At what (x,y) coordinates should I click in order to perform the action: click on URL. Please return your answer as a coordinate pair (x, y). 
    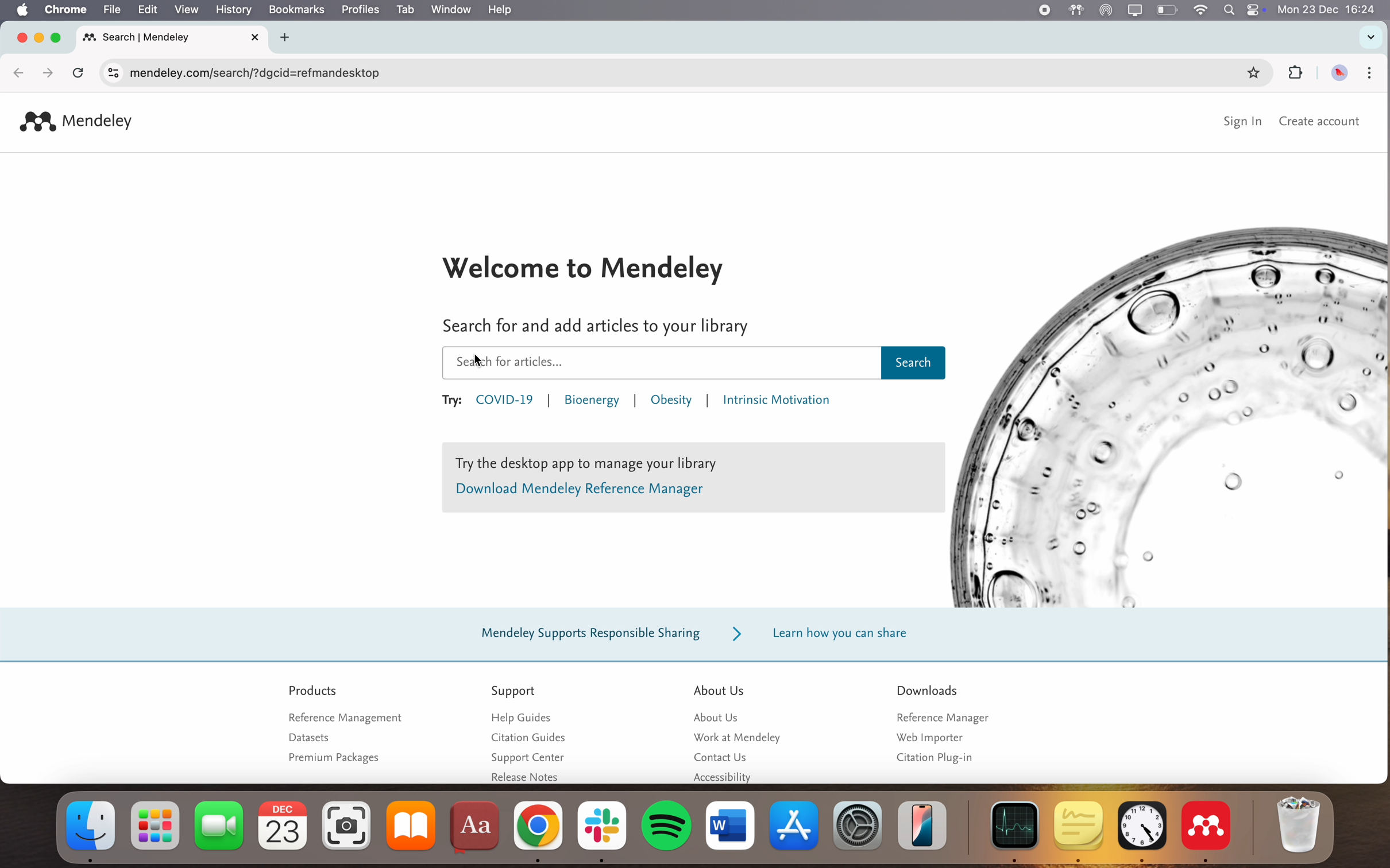
    Looking at the image, I should click on (256, 75).